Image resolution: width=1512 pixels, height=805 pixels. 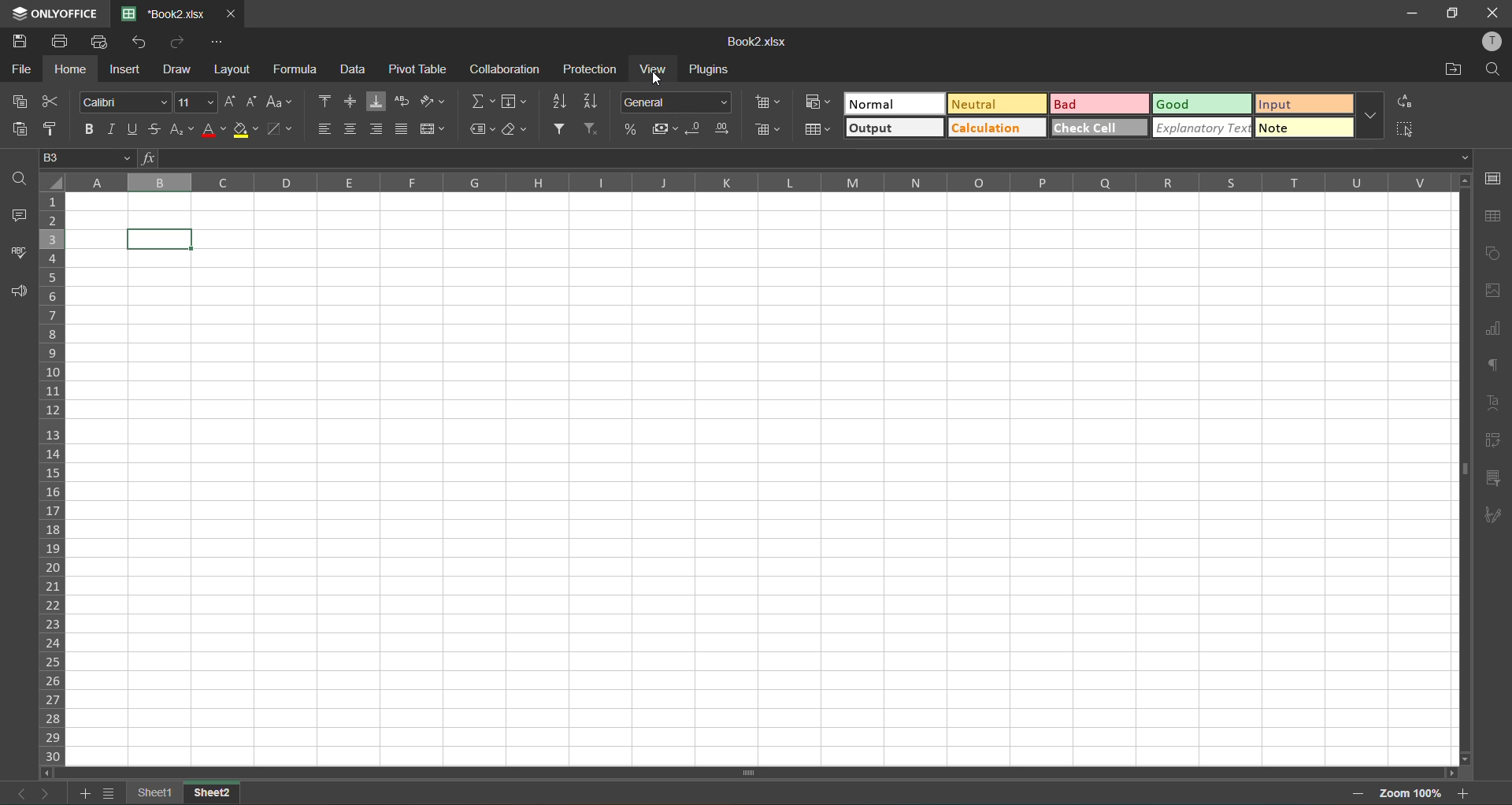 I want to click on undo, so click(x=143, y=43).